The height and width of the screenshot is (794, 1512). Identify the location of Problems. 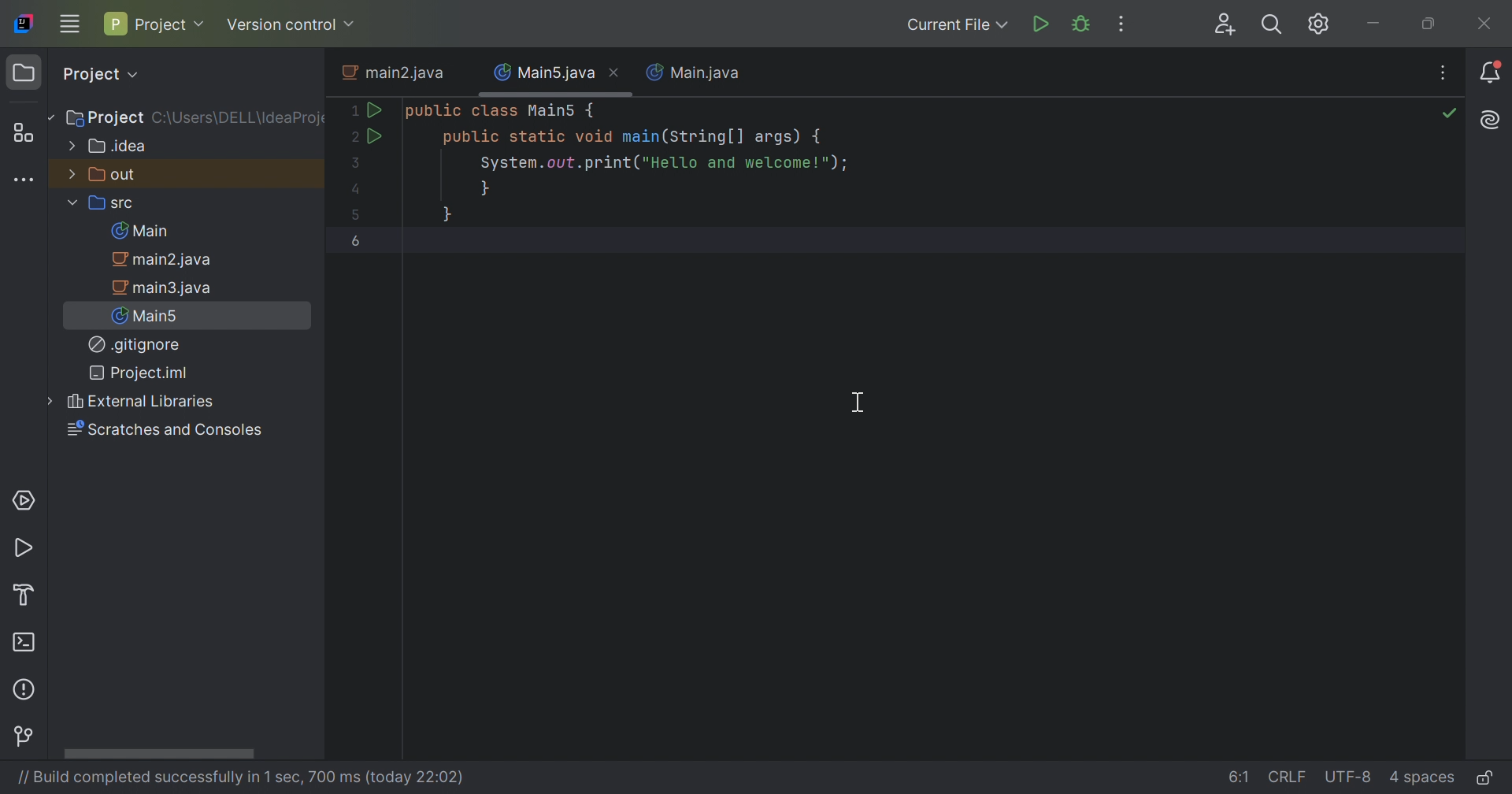
(27, 688).